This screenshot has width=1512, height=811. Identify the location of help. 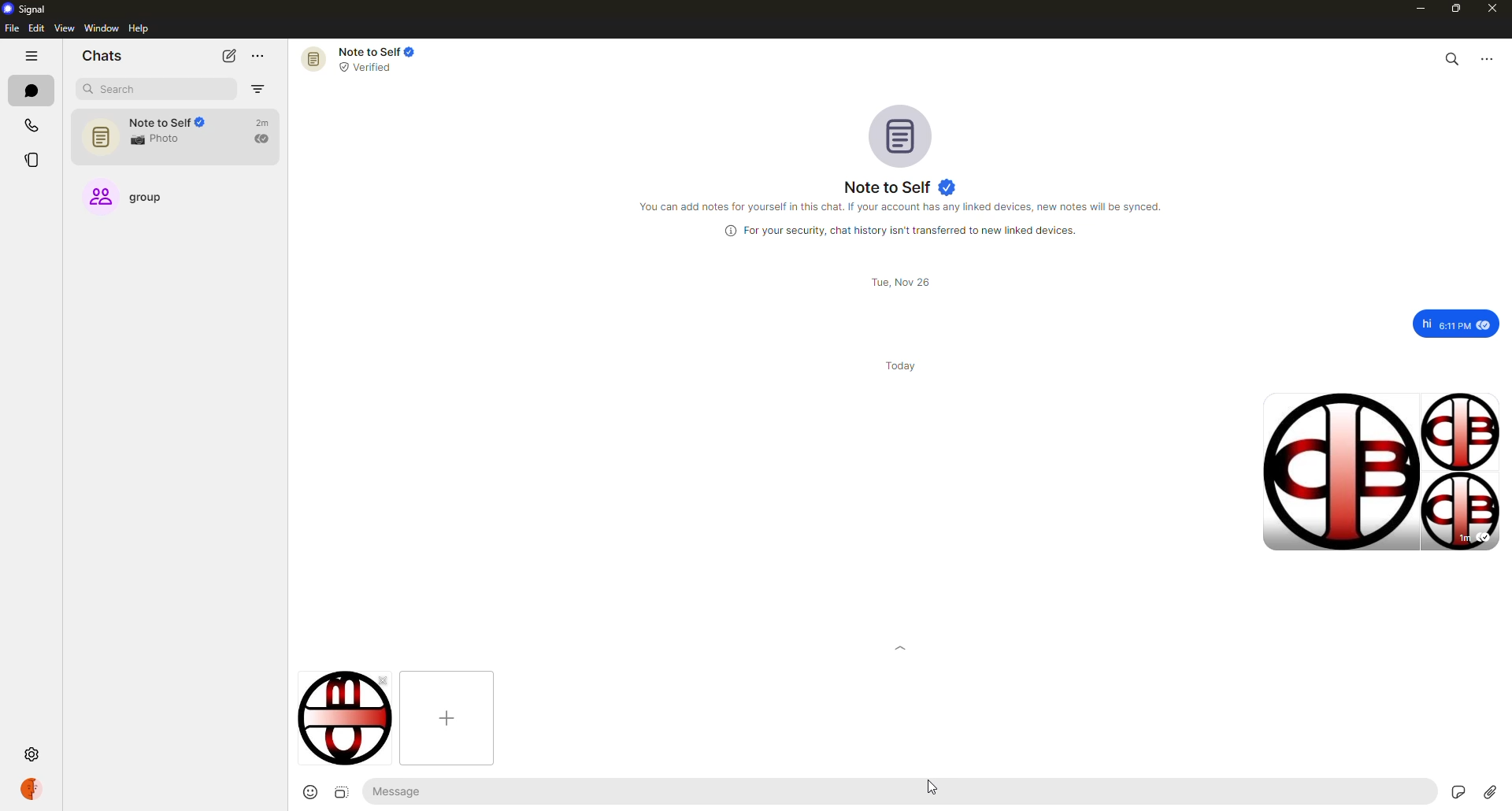
(139, 28).